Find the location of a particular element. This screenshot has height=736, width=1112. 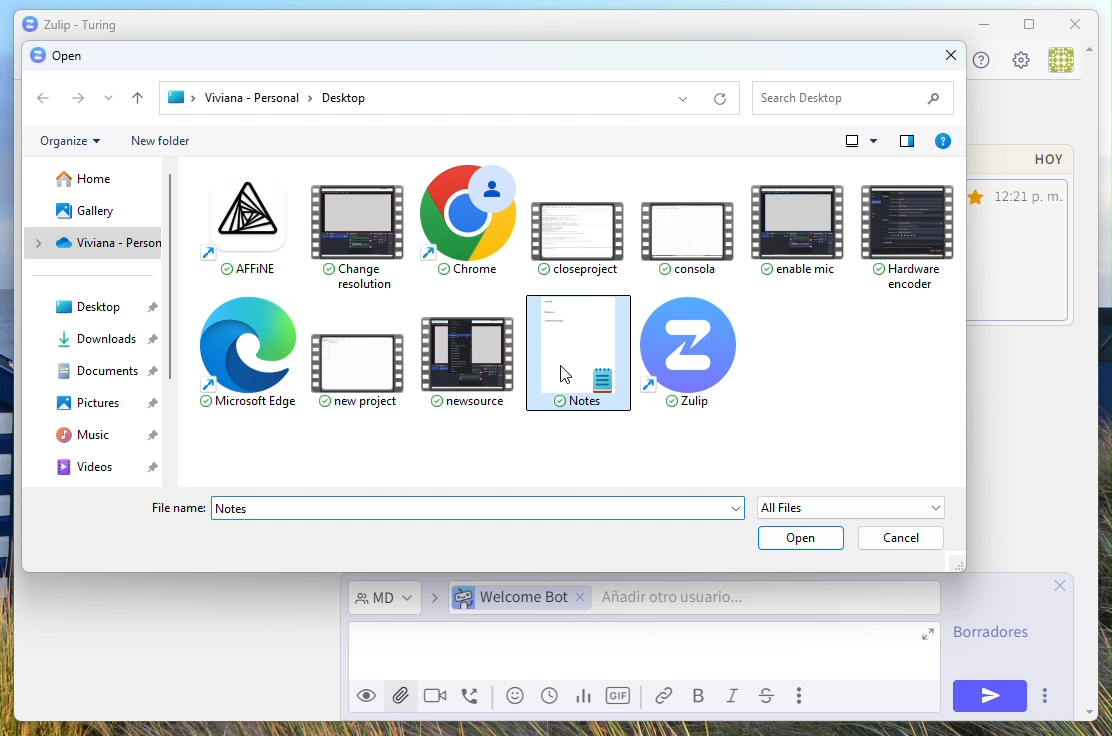

Gif is located at coordinates (620, 696).